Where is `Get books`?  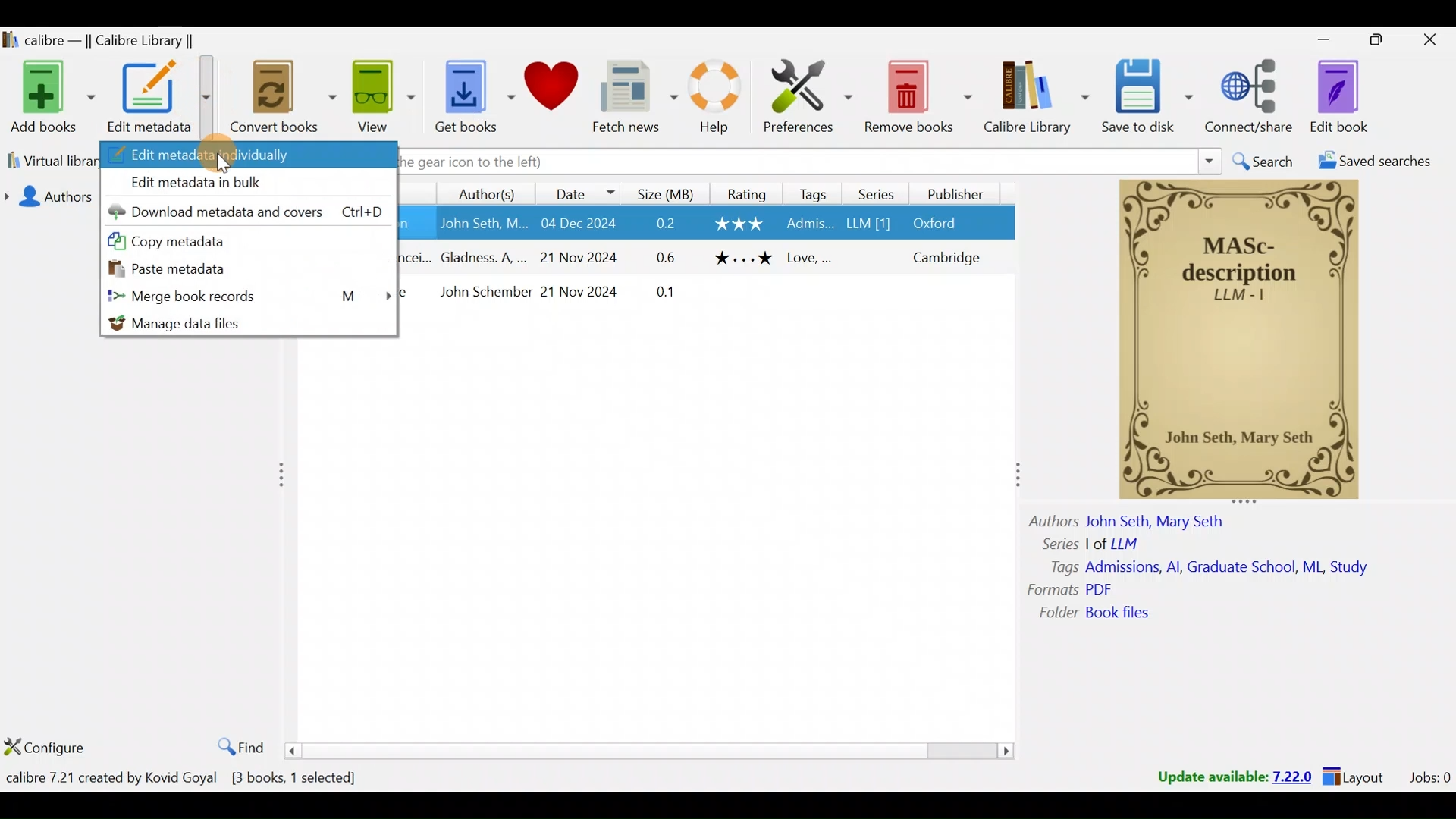 Get books is located at coordinates (474, 100).